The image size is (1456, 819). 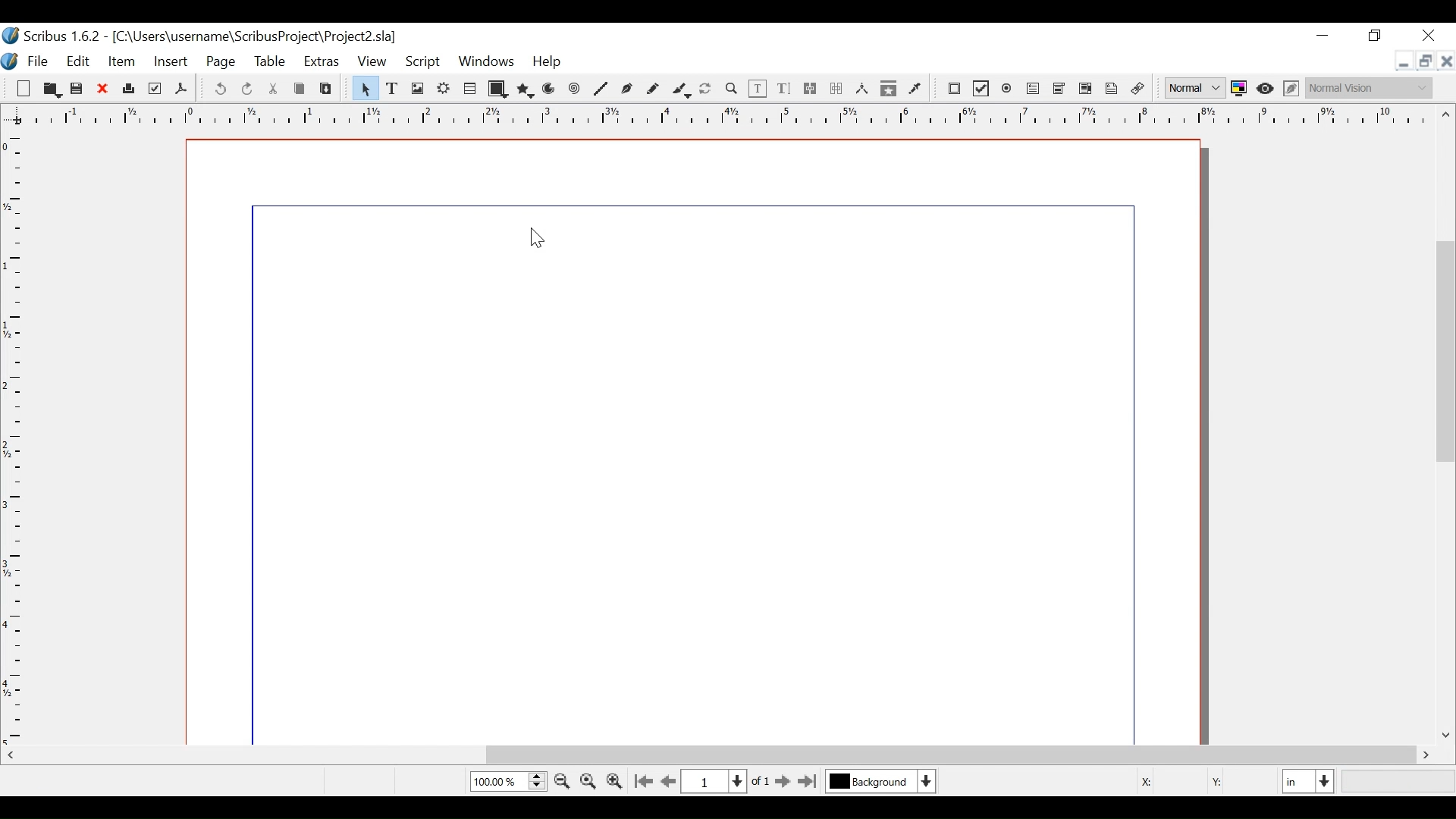 What do you see at coordinates (444, 90) in the screenshot?
I see `Render` at bounding box center [444, 90].